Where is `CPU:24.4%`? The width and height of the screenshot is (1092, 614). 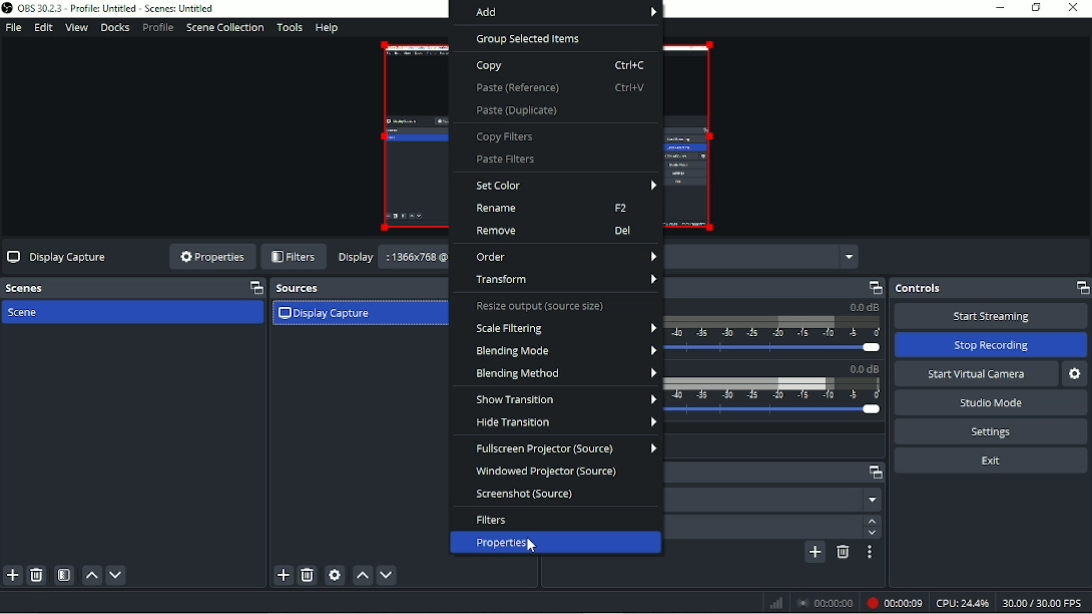
CPU:24.4% is located at coordinates (963, 603).